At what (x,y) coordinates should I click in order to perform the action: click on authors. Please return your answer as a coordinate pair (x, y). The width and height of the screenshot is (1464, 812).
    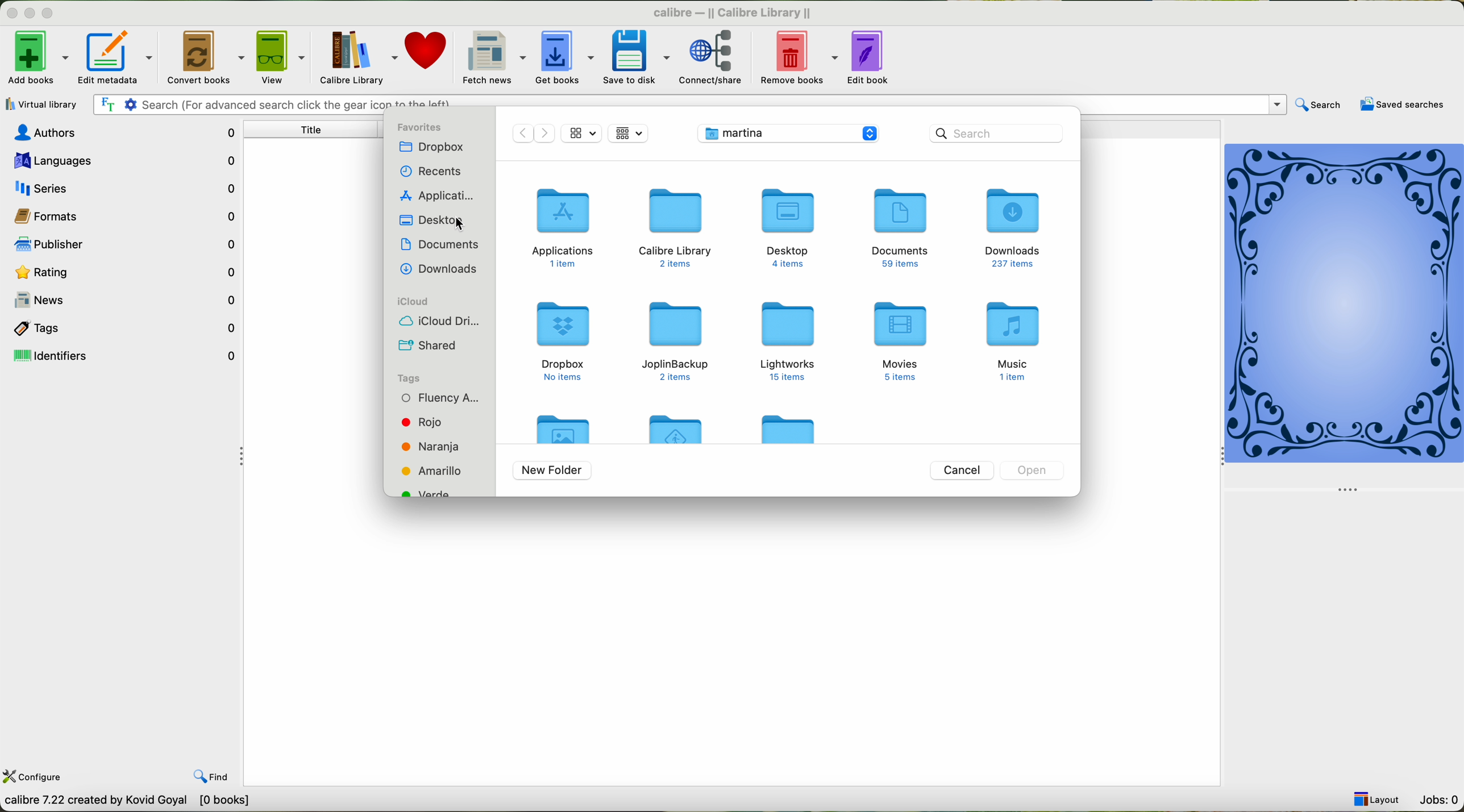
    Looking at the image, I should click on (123, 133).